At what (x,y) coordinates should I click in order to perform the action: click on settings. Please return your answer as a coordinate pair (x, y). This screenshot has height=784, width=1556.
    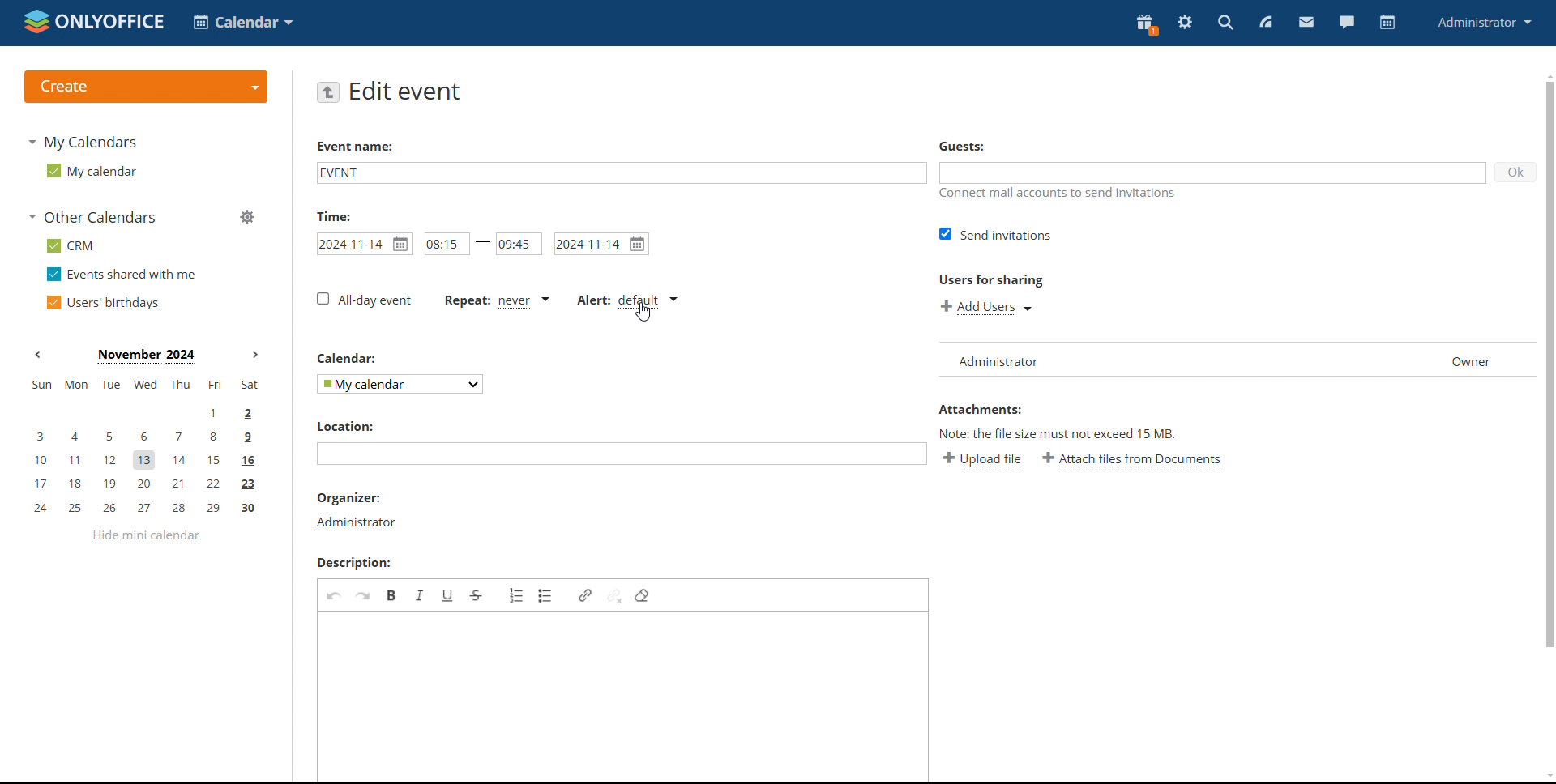
    Looking at the image, I should click on (1186, 23).